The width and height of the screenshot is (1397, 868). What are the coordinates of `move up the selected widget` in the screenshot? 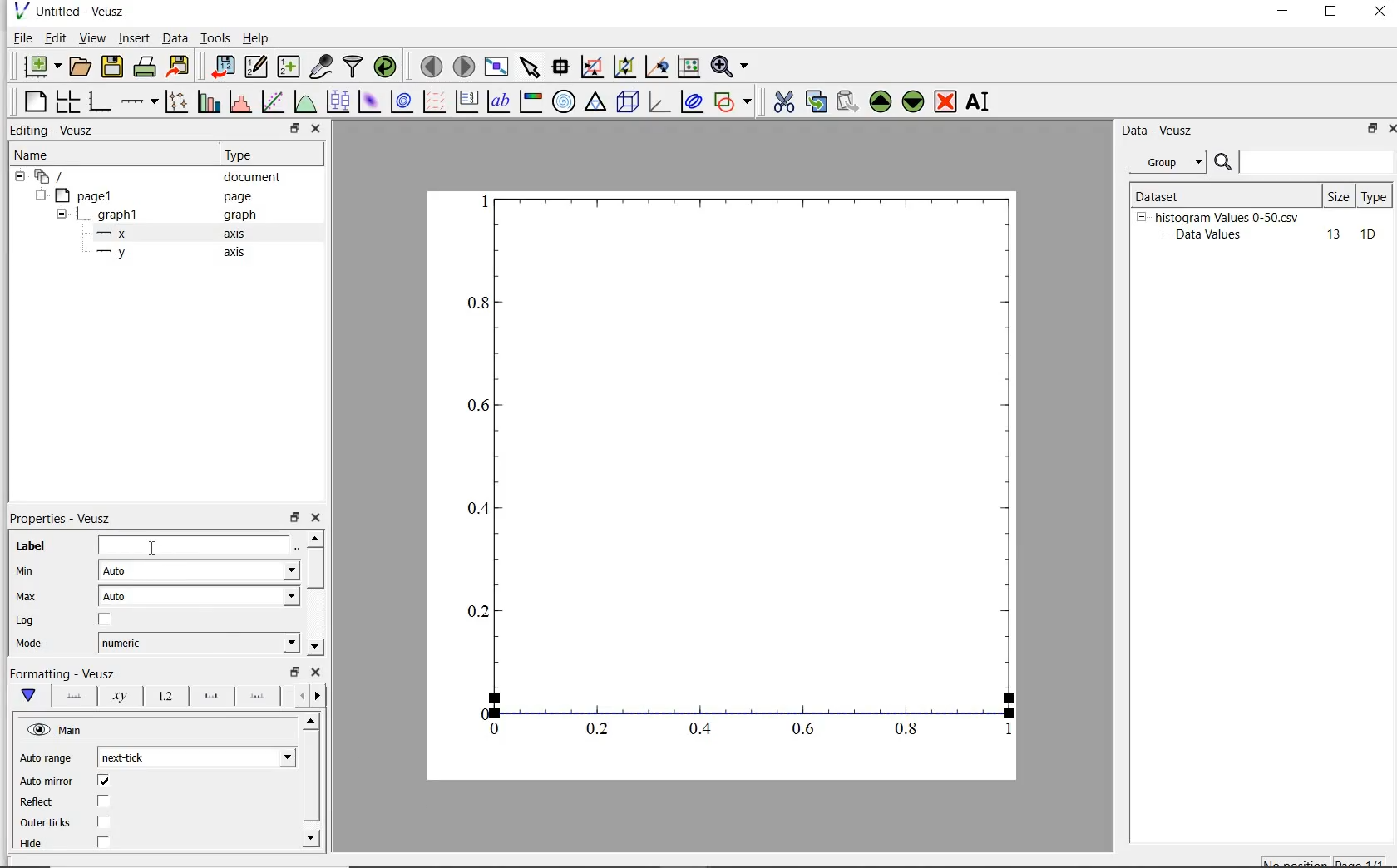 It's located at (879, 102).